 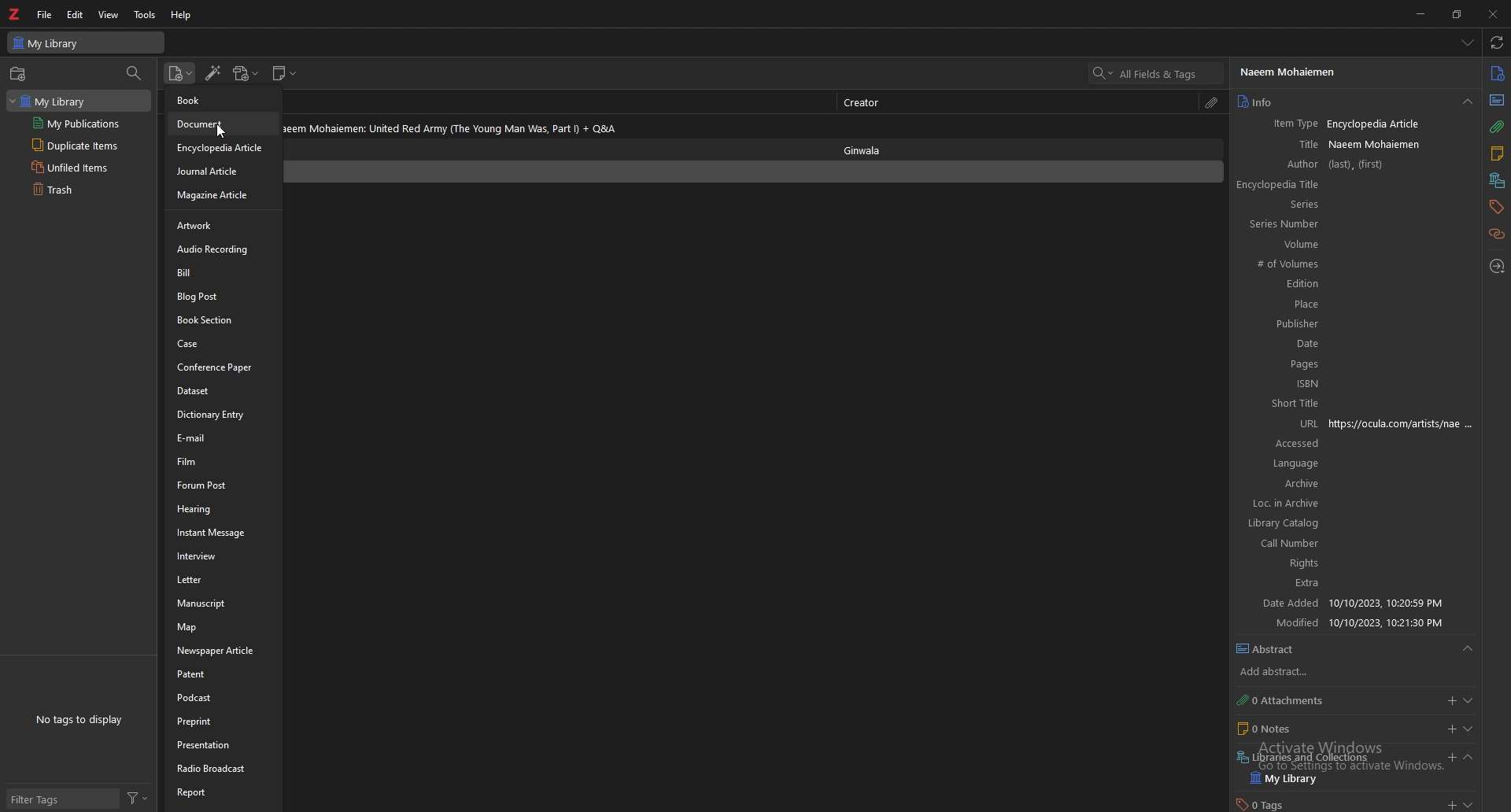 What do you see at coordinates (1281, 563) in the screenshot?
I see `rights` at bounding box center [1281, 563].